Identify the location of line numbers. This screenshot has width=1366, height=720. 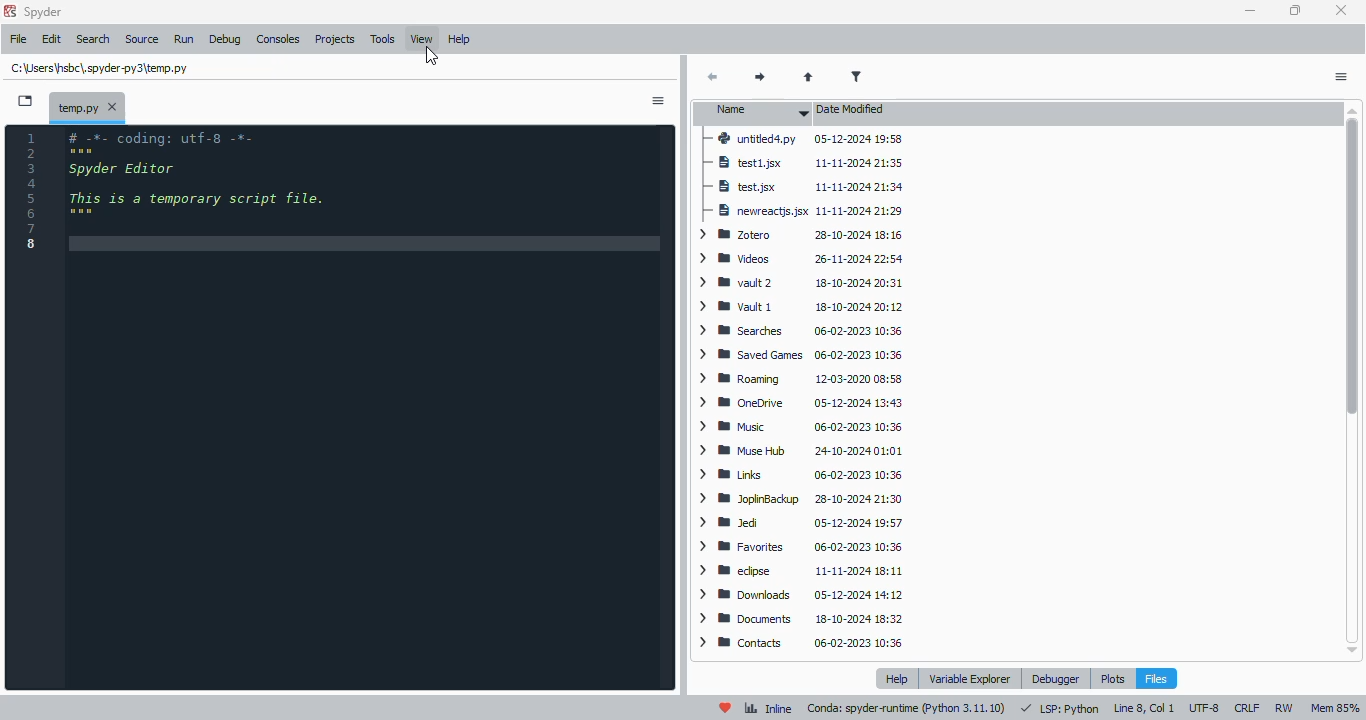
(34, 192).